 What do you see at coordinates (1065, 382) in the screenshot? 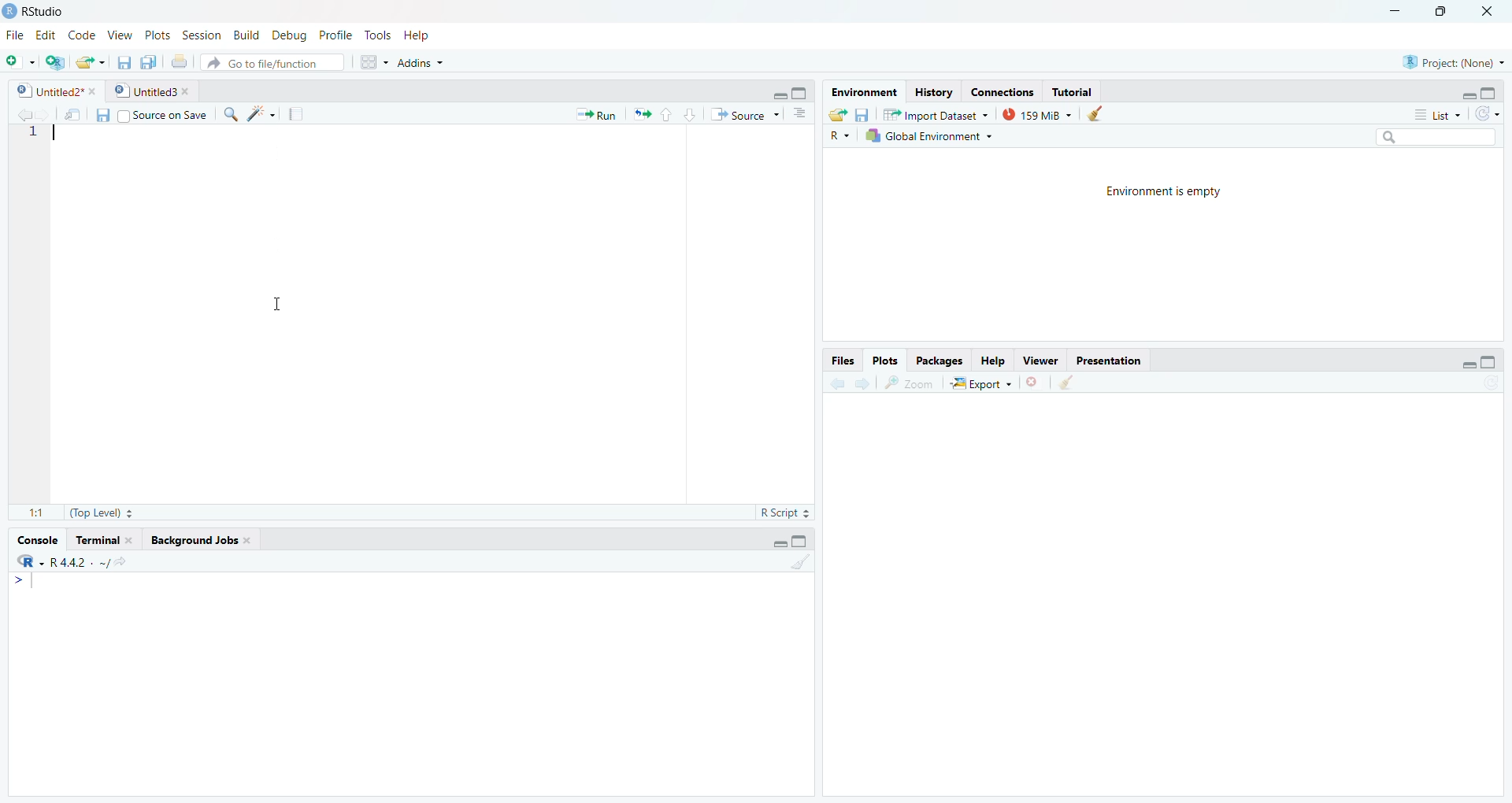
I see `Clean` at bounding box center [1065, 382].